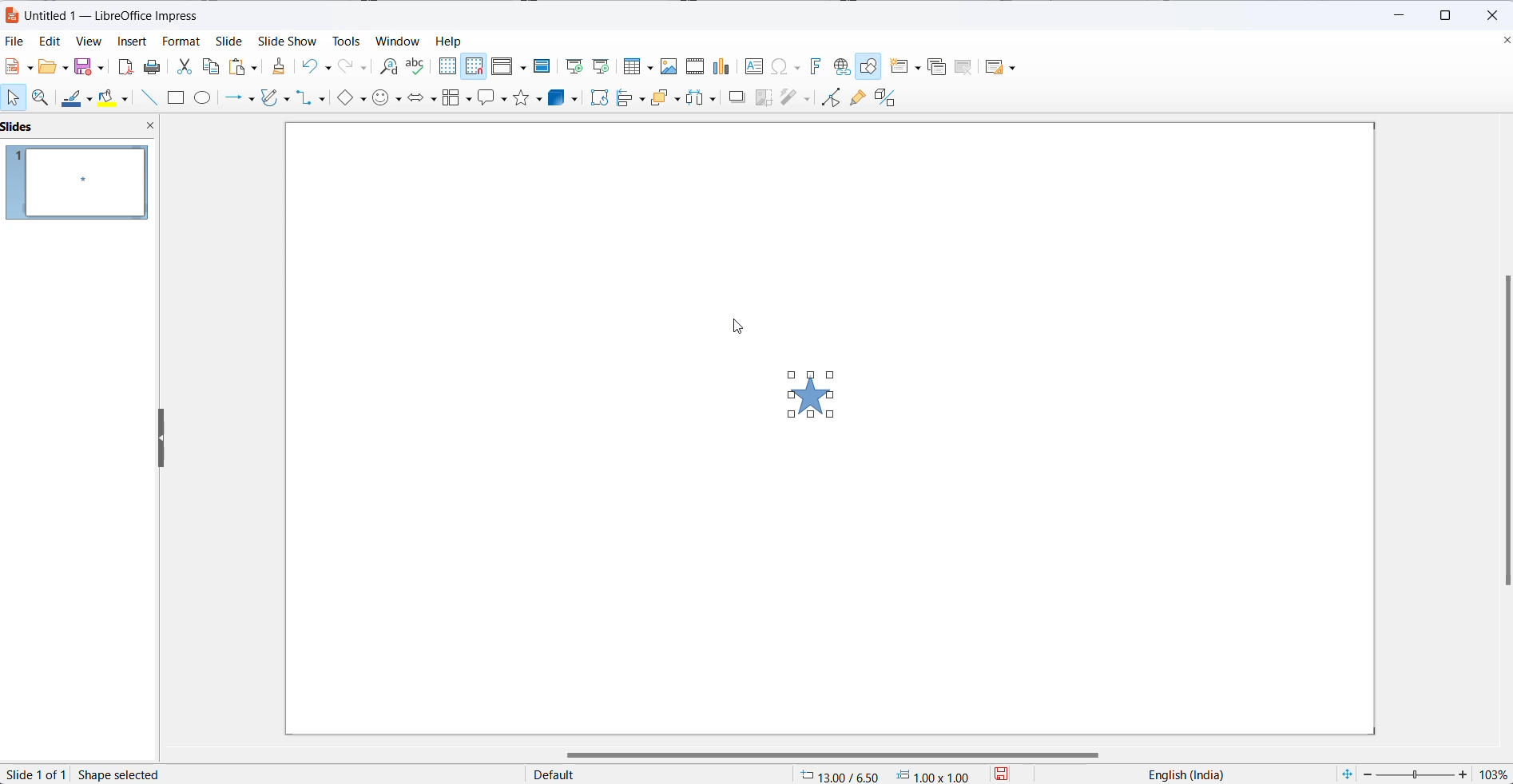 The width and height of the screenshot is (1513, 784). I want to click on callout shapes, so click(493, 101).